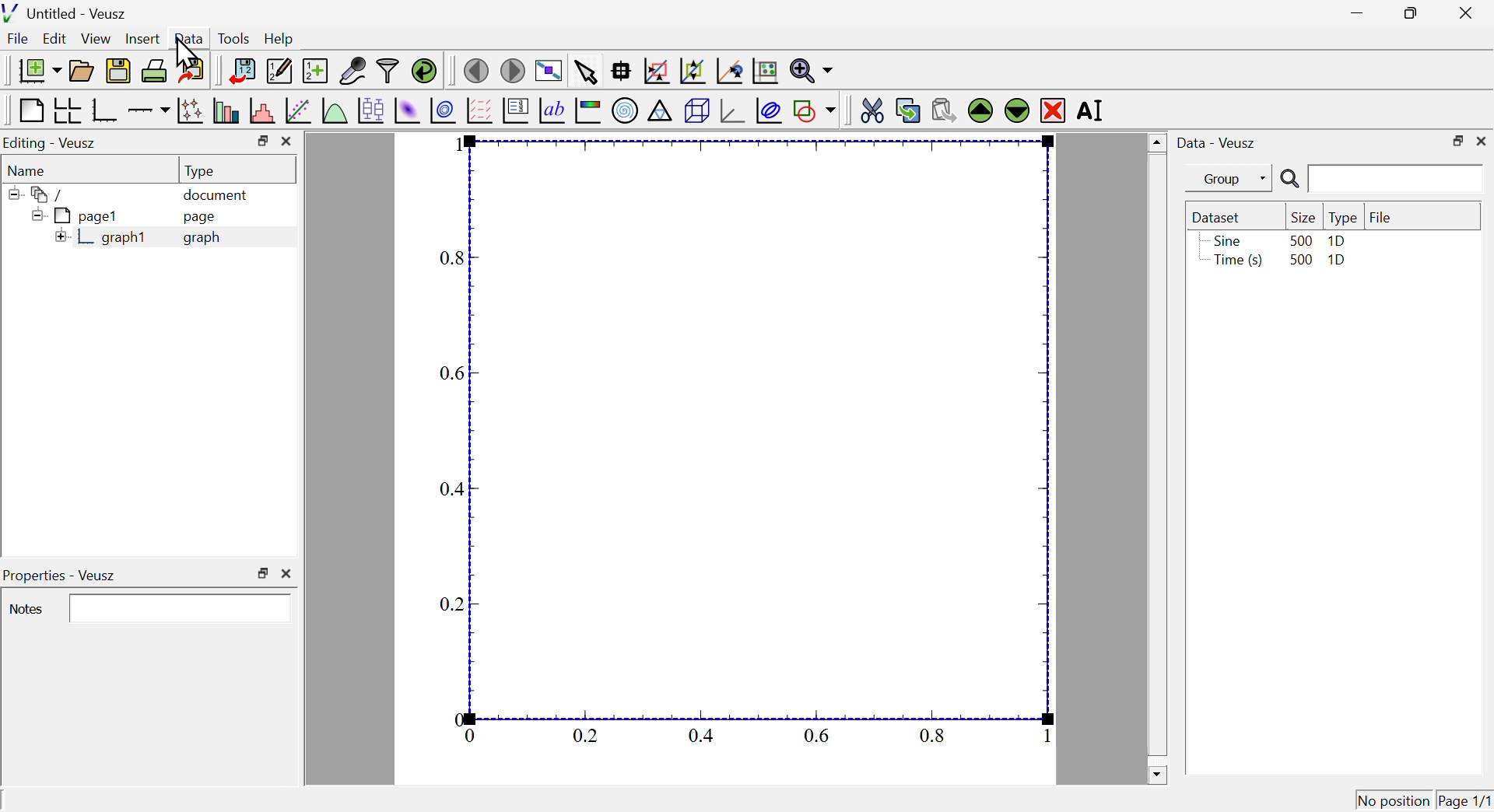 The height and width of the screenshot is (812, 1494). Describe the element at coordinates (217, 196) in the screenshot. I see `document` at that location.